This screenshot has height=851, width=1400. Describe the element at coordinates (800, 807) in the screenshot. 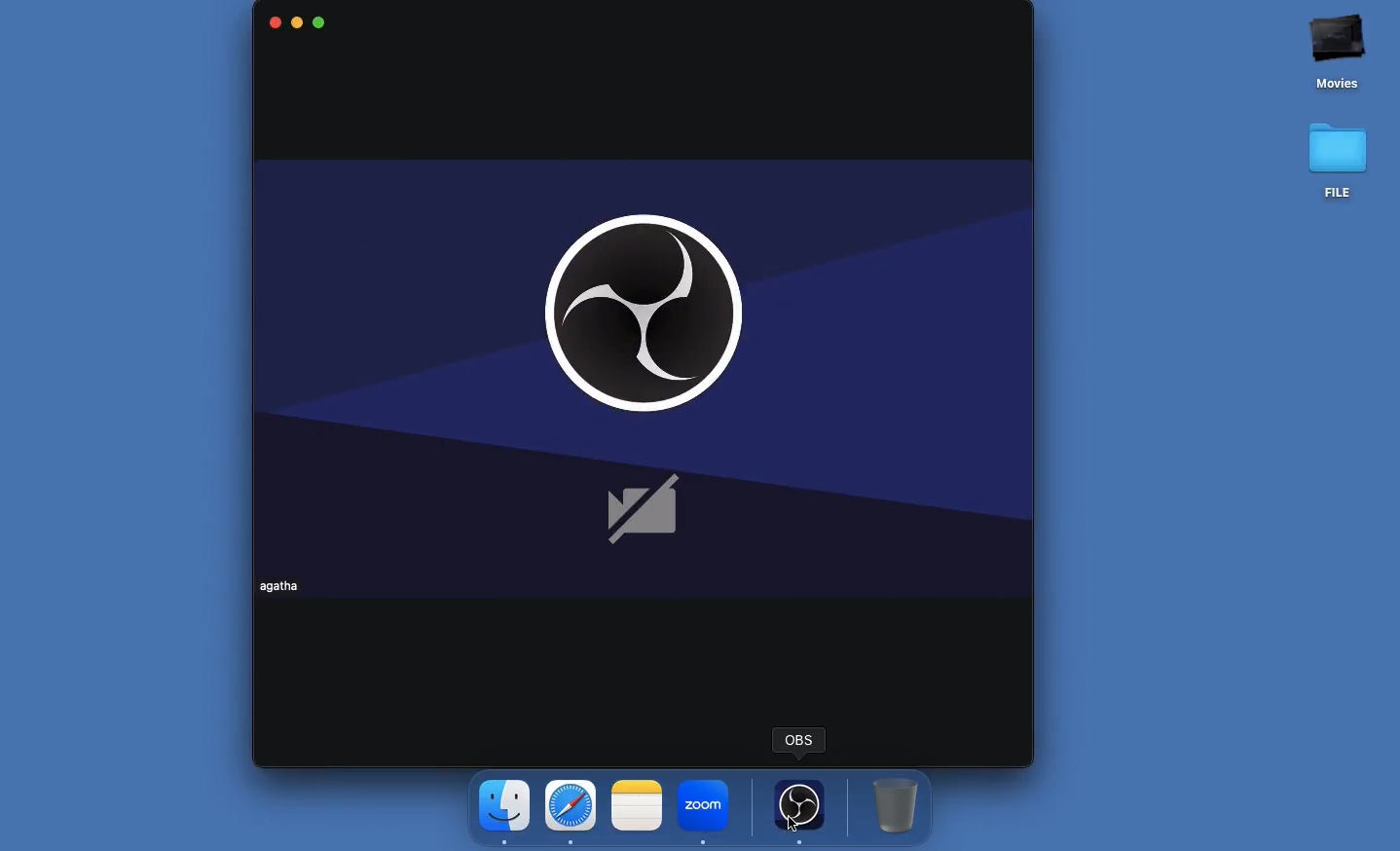

I see `OBS` at that location.